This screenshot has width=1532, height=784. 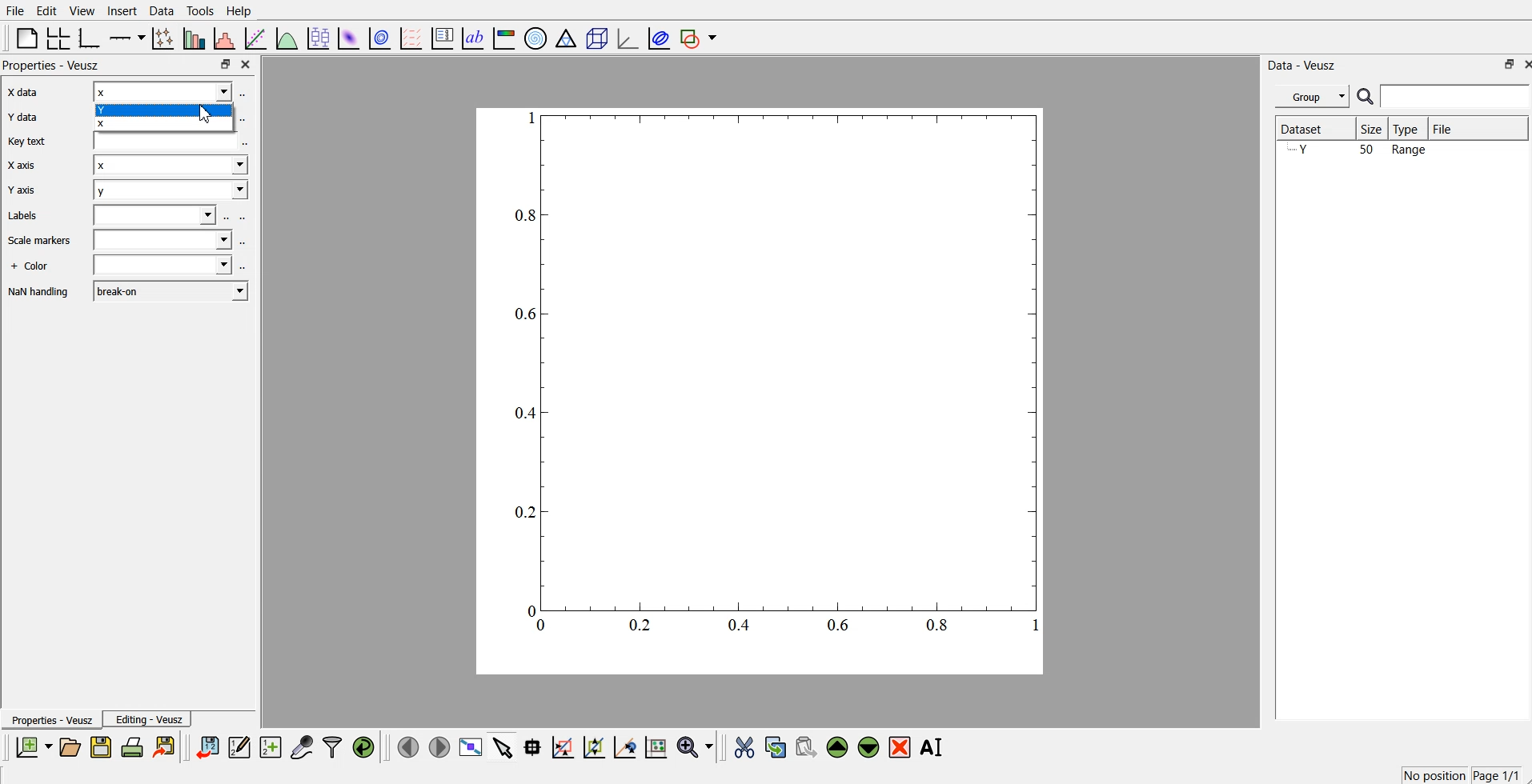 What do you see at coordinates (239, 12) in the screenshot?
I see `Help` at bounding box center [239, 12].